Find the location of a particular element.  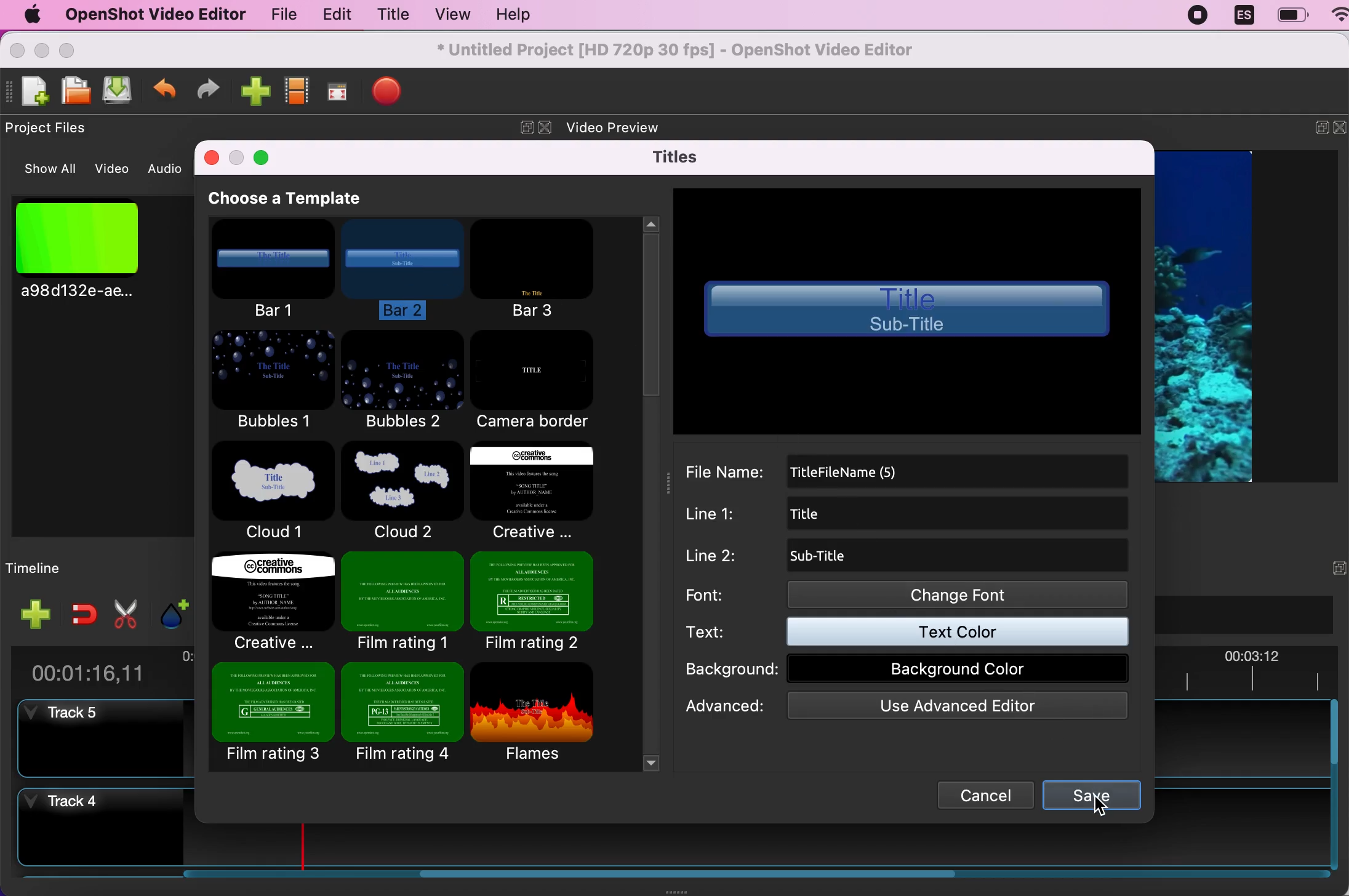

bar 1 is located at coordinates (278, 270).